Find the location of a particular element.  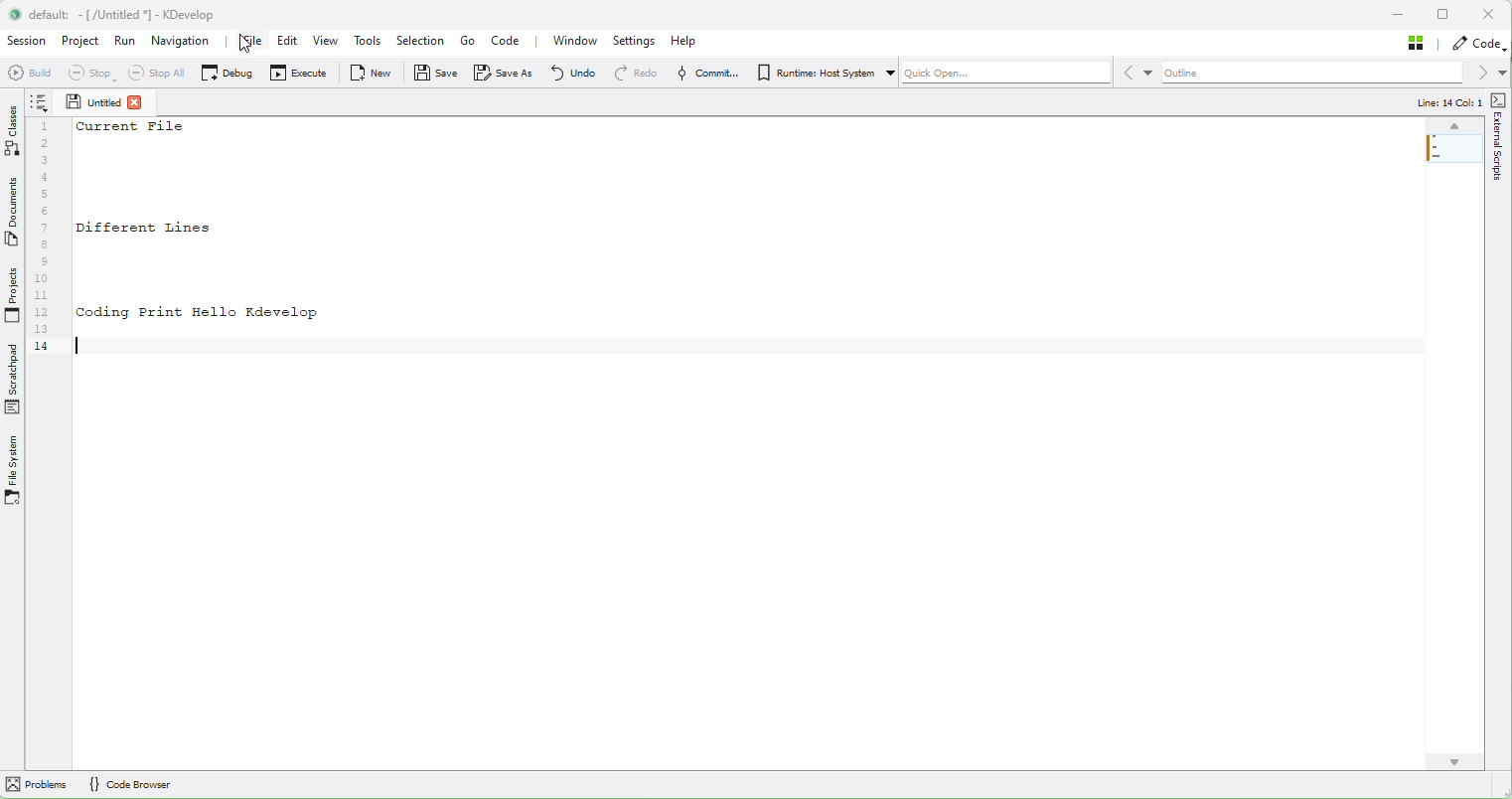

New is located at coordinates (363, 72).